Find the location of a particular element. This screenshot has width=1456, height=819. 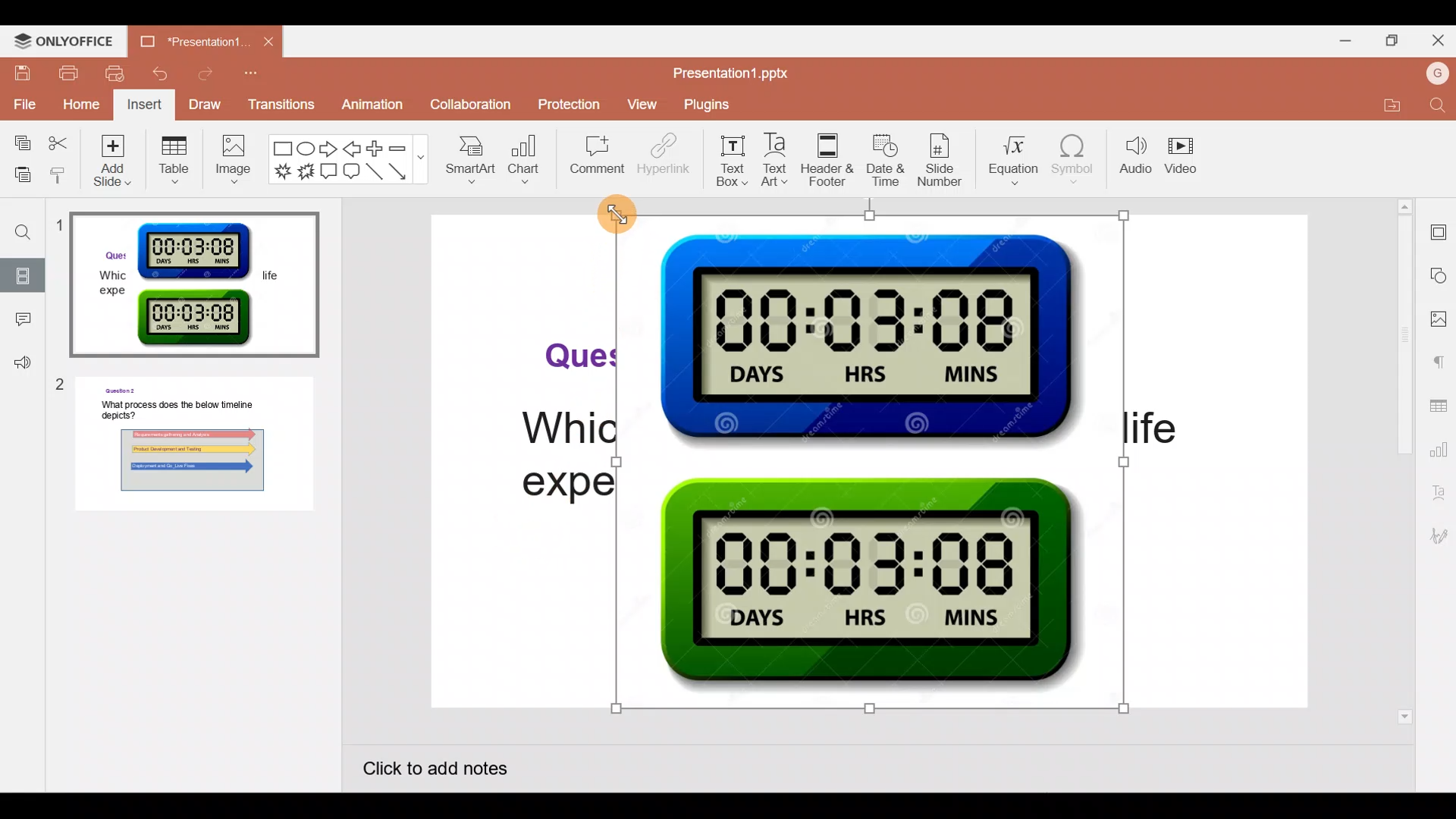

Comment is located at coordinates (592, 158).